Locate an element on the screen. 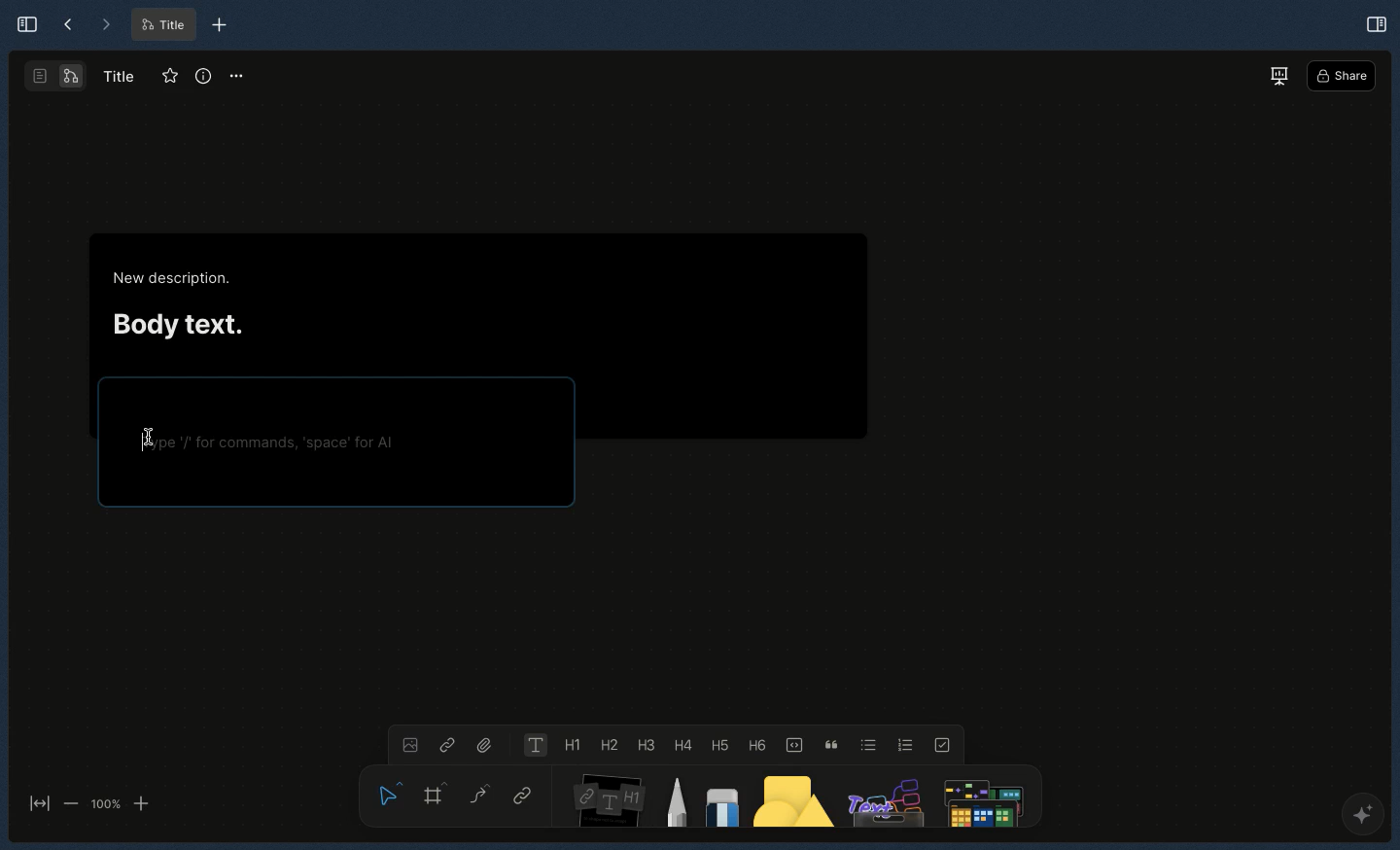  Pen is located at coordinates (676, 799).